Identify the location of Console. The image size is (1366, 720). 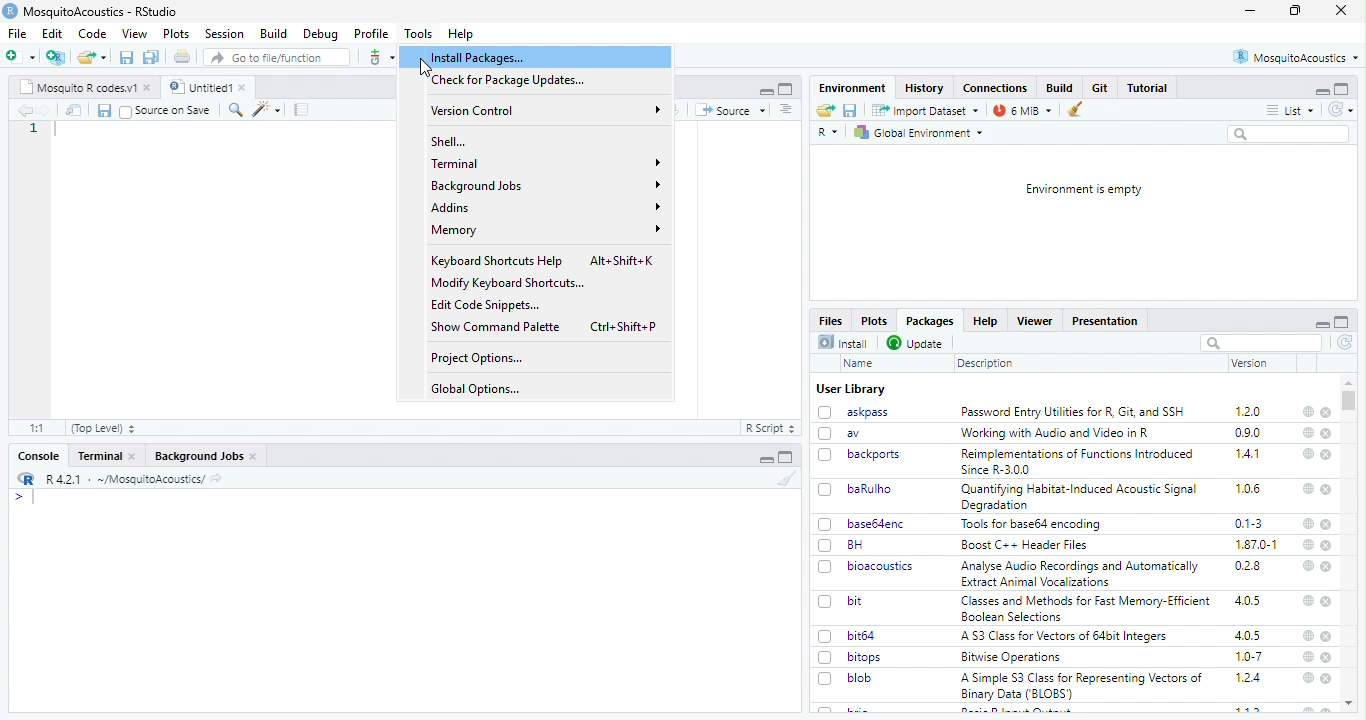
(40, 456).